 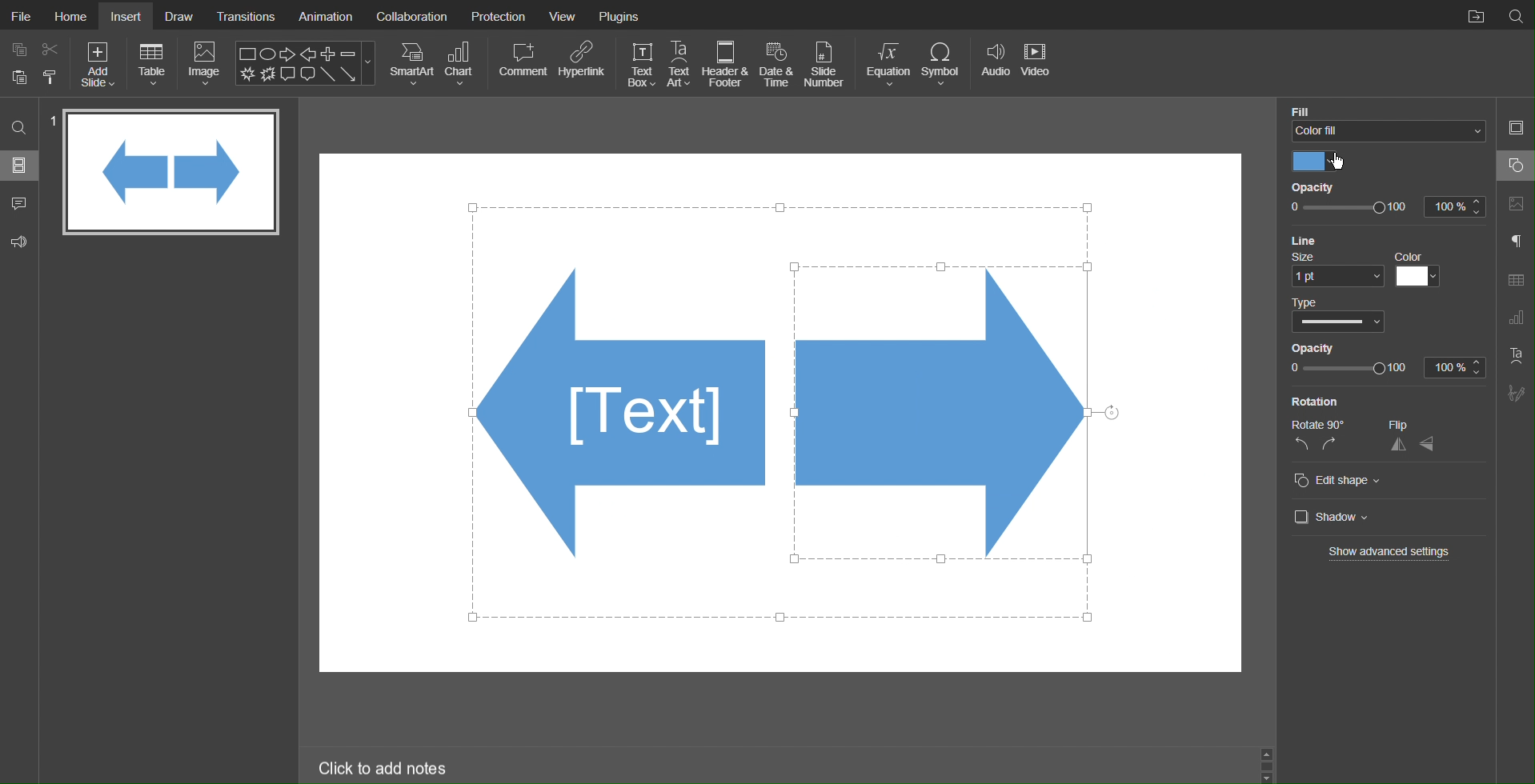 I want to click on Opacity, so click(x=1325, y=186).